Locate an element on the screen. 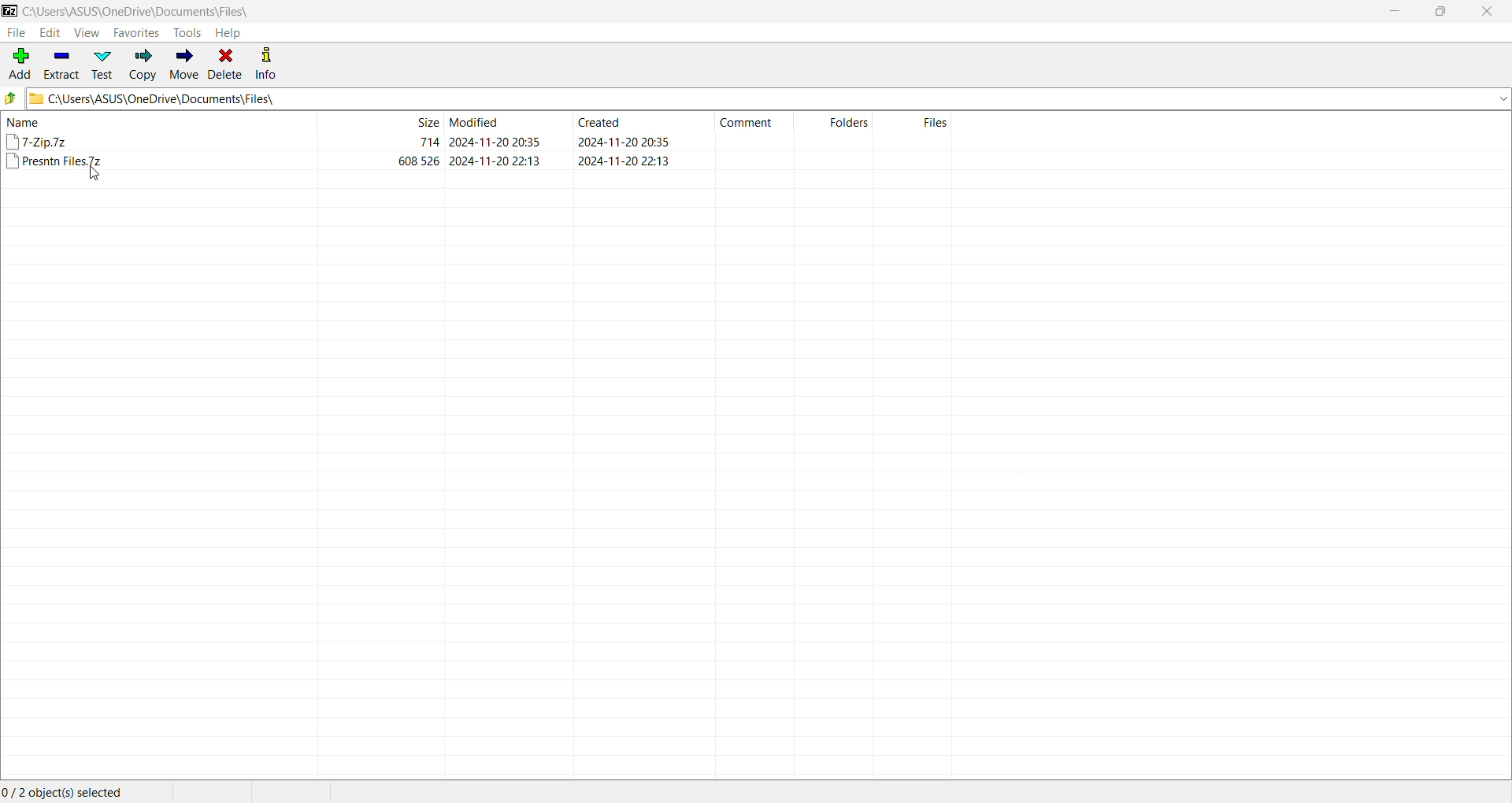 This screenshot has width=1512, height=803. comment is located at coordinates (747, 123).